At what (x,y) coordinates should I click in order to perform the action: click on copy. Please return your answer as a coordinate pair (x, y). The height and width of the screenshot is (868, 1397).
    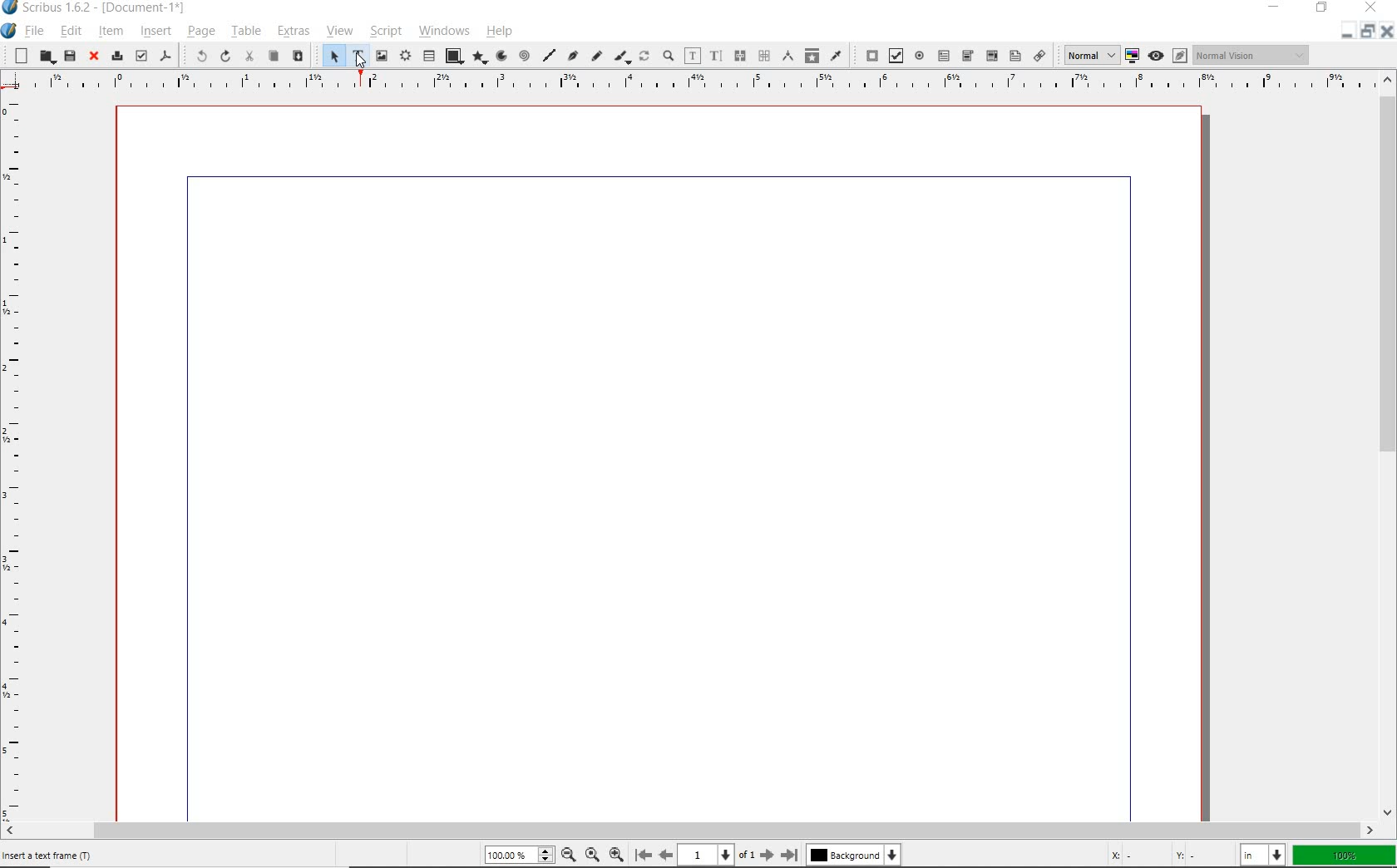
    Looking at the image, I should click on (274, 57).